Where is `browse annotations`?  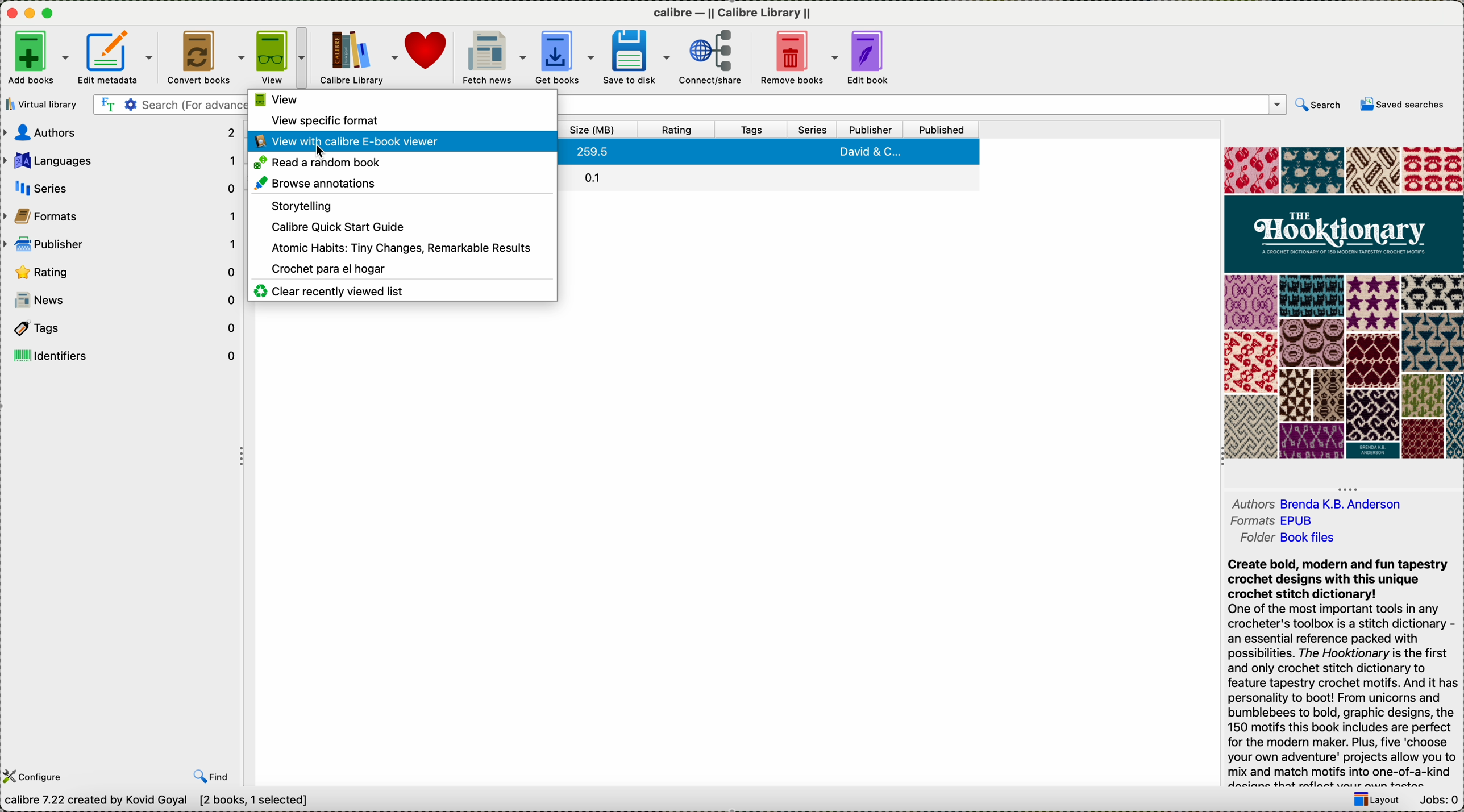 browse annotations is located at coordinates (318, 184).